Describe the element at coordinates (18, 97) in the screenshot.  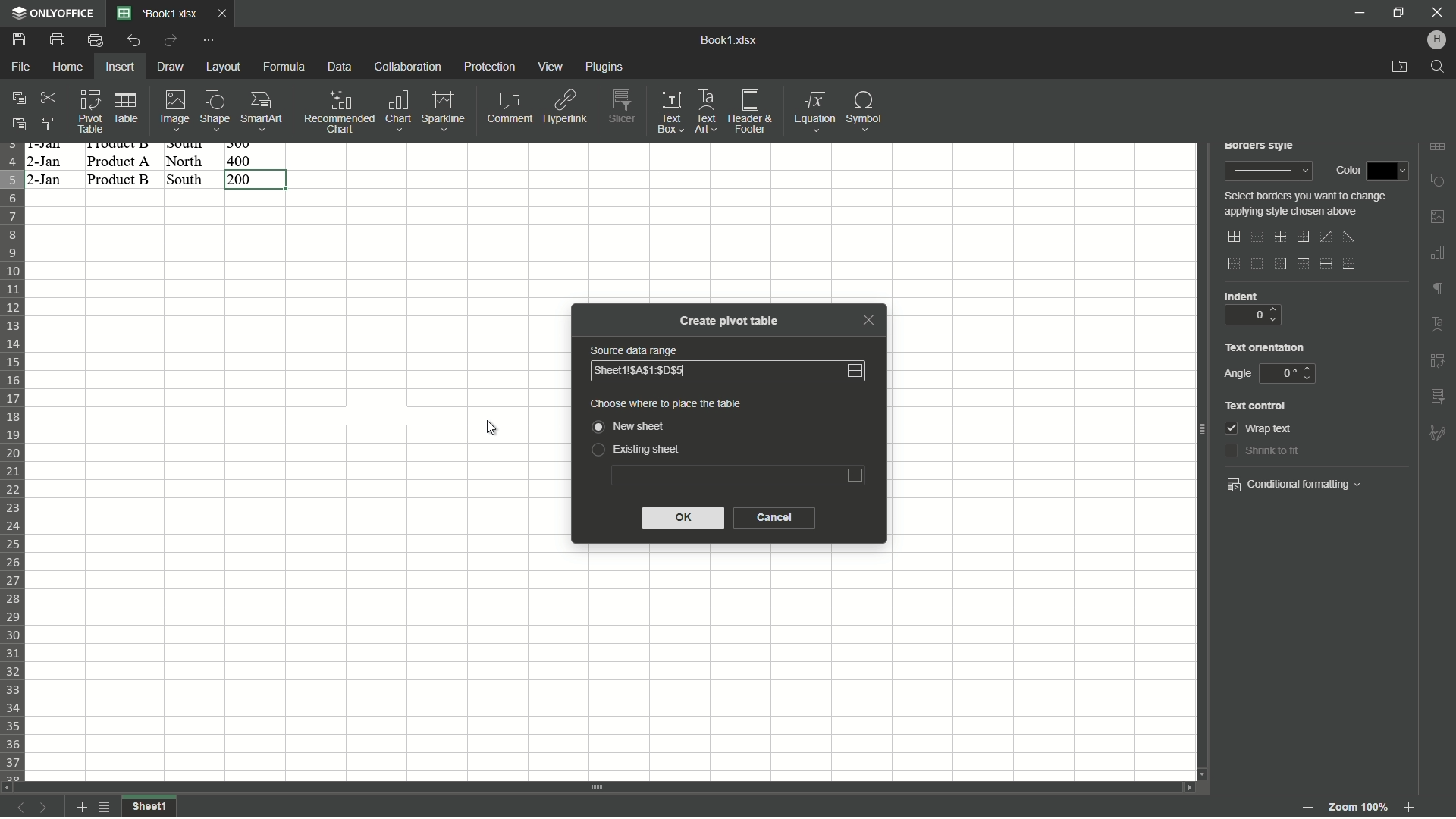
I see `Copy` at that location.